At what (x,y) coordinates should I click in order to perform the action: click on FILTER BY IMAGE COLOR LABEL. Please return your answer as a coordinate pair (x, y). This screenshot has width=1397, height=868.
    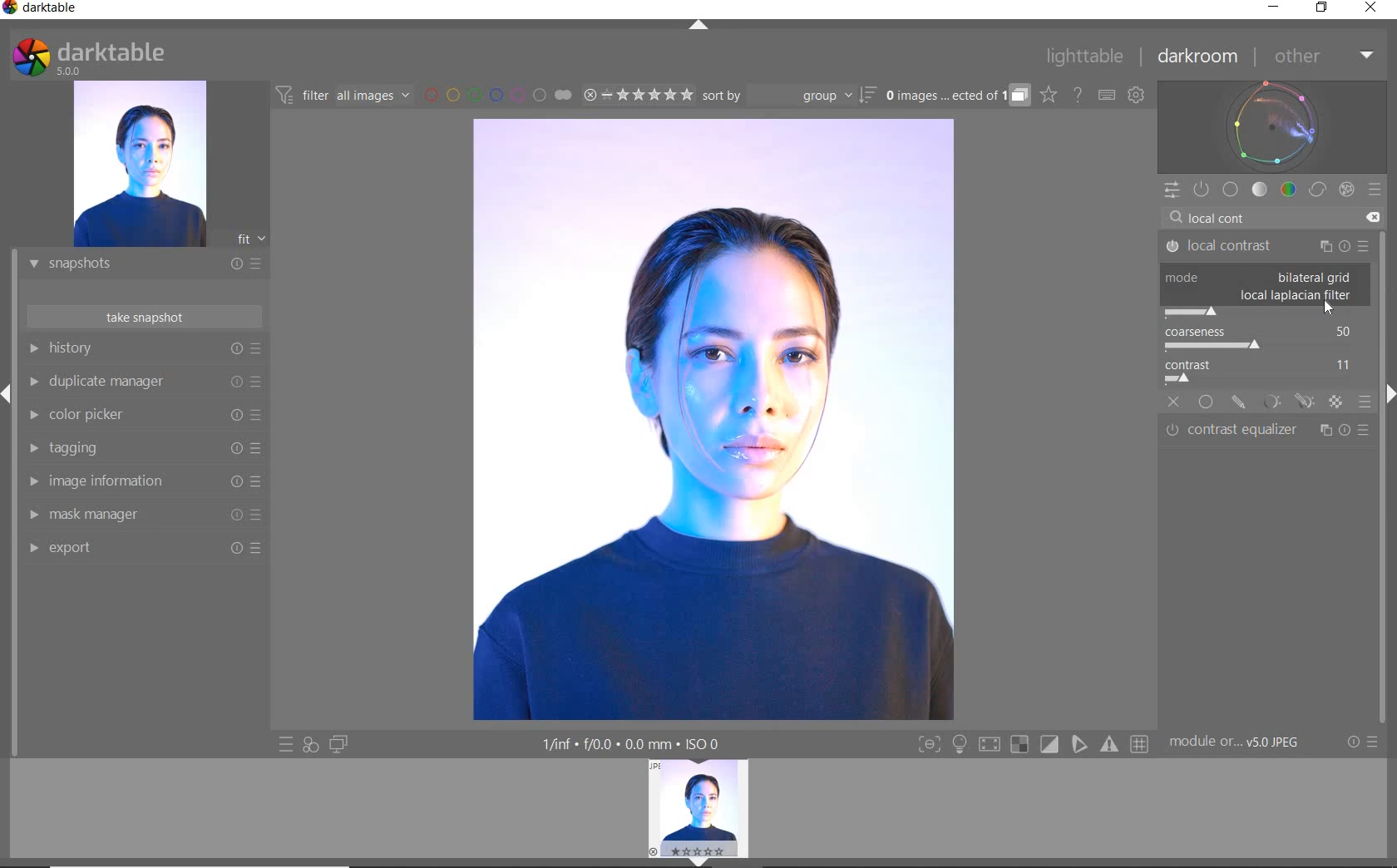
    Looking at the image, I should click on (498, 94).